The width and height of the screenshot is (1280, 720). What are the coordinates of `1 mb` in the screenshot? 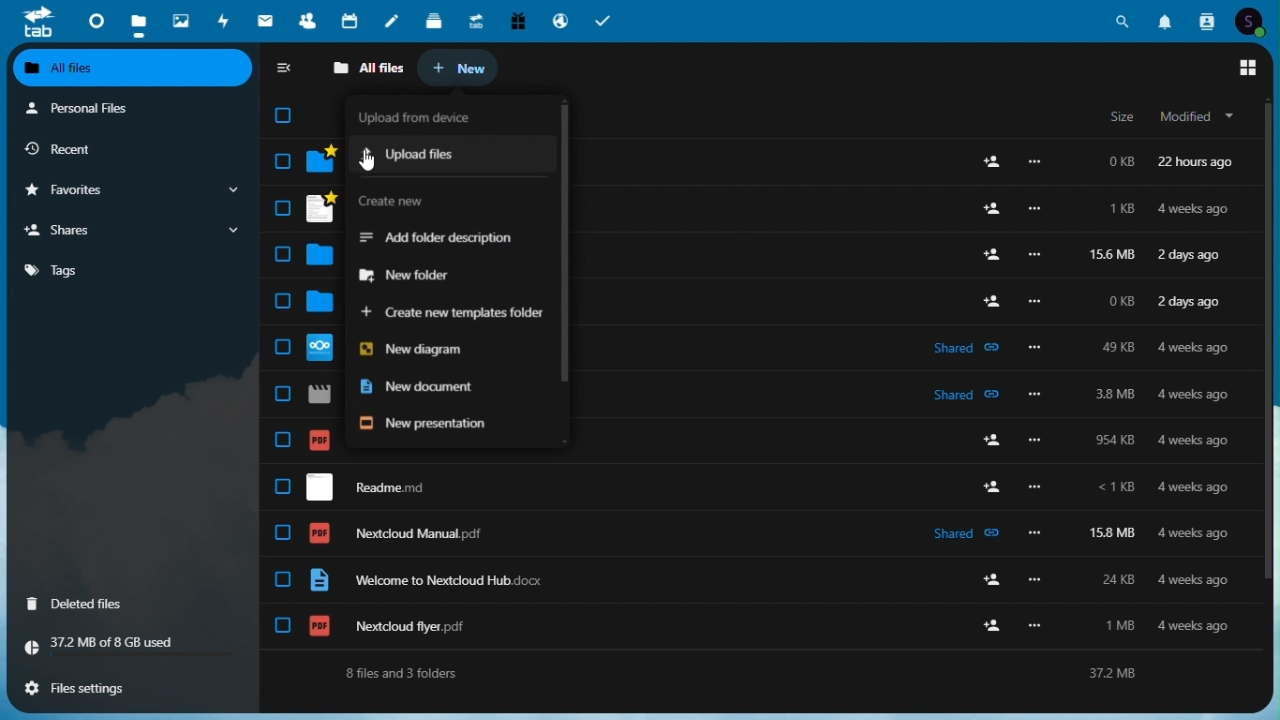 It's located at (1118, 627).